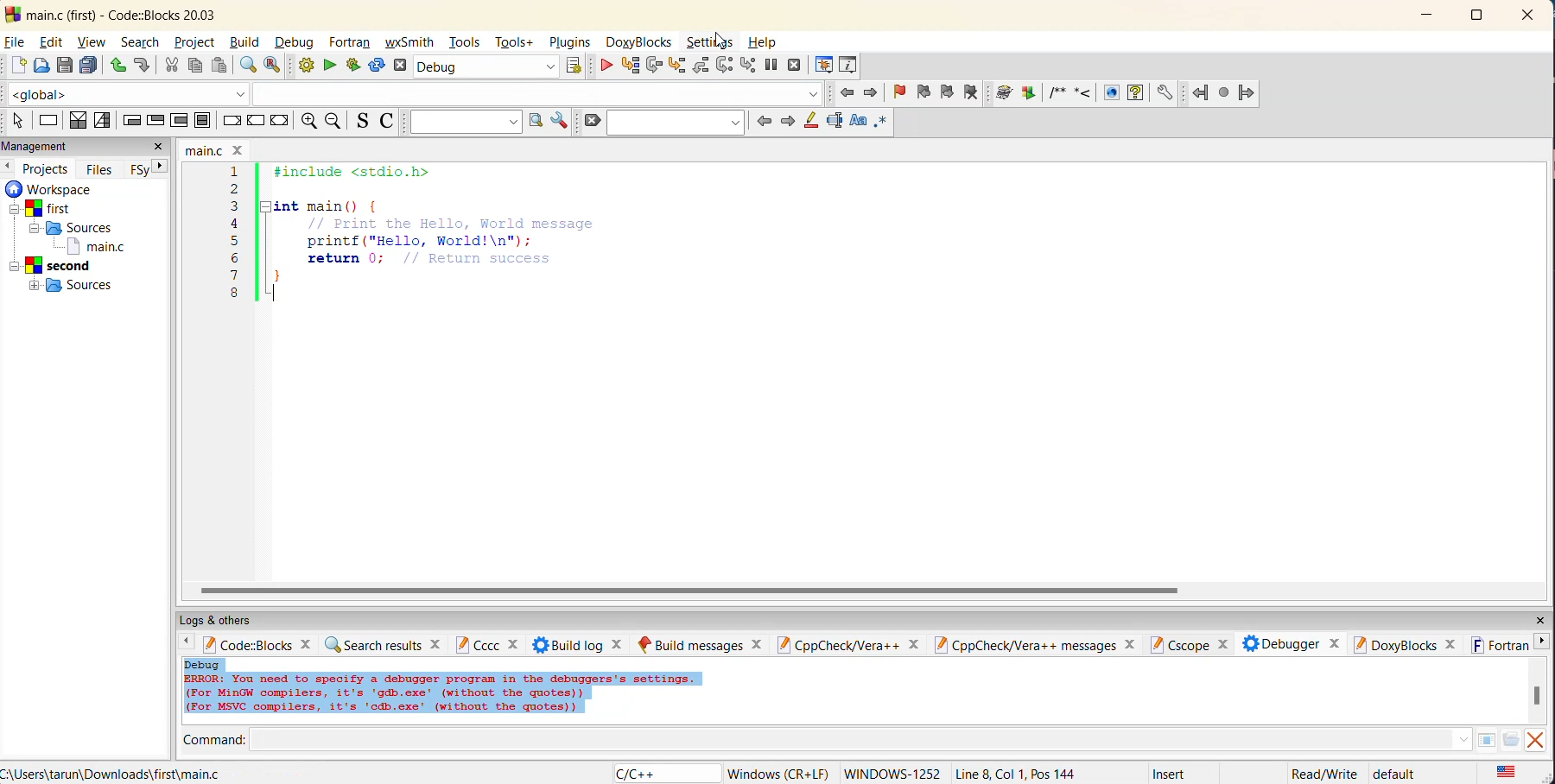  What do you see at coordinates (772, 65) in the screenshot?
I see `break debugger` at bounding box center [772, 65].